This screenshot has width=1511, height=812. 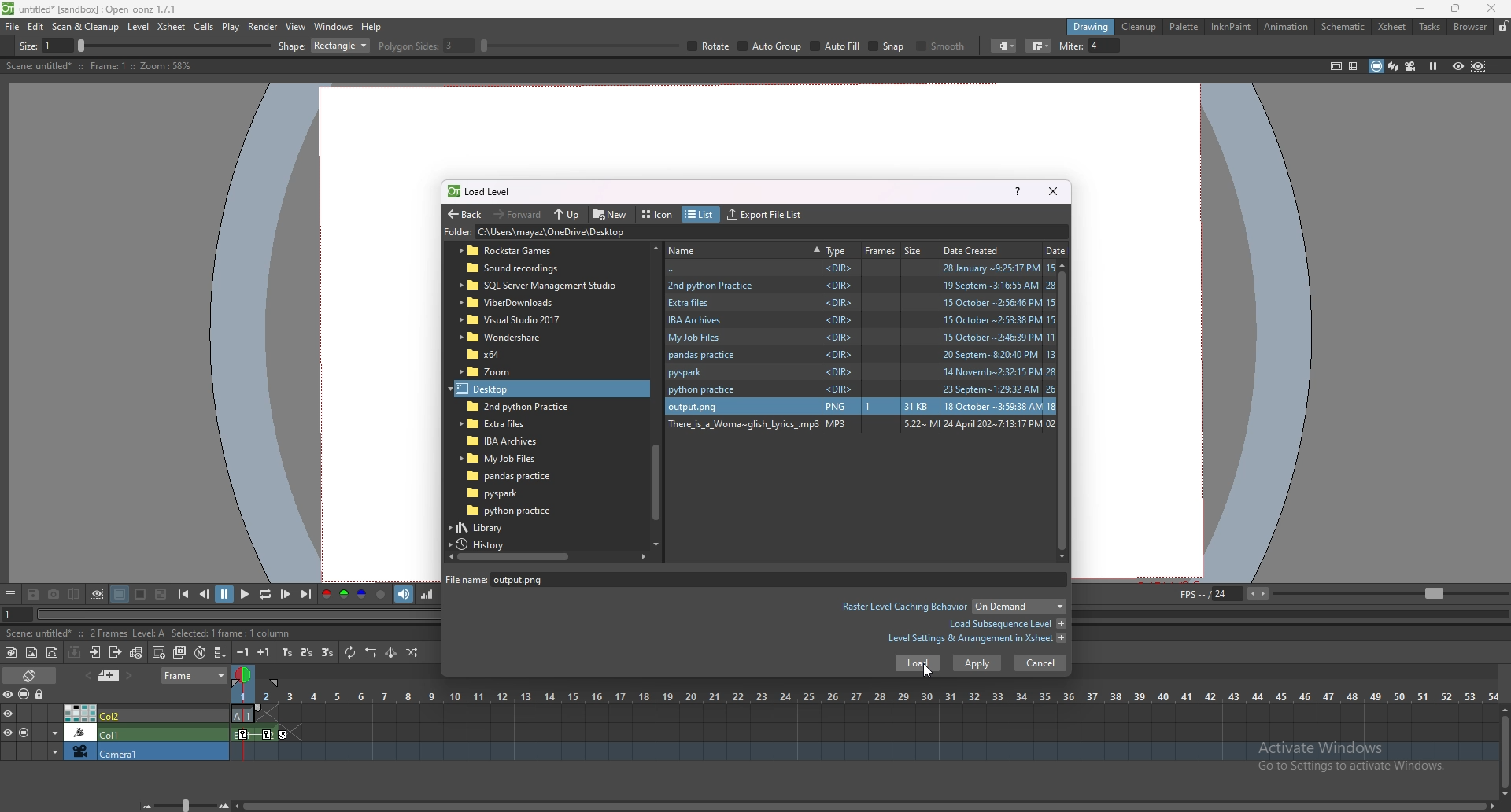 What do you see at coordinates (109, 674) in the screenshot?
I see `add memo` at bounding box center [109, 674].